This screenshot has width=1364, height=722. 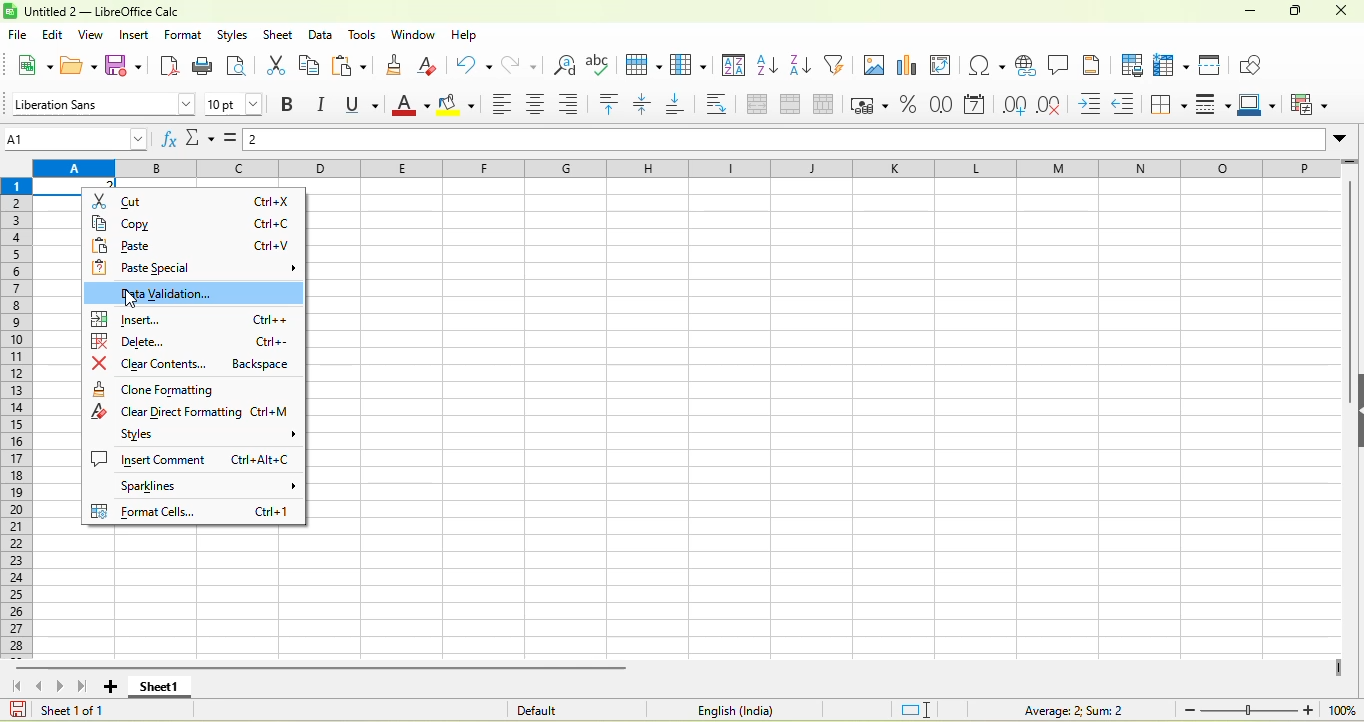 What do you see at coordinates (911, 67) in the screenshot?
I see `chart` at bounding box center [911, 67].